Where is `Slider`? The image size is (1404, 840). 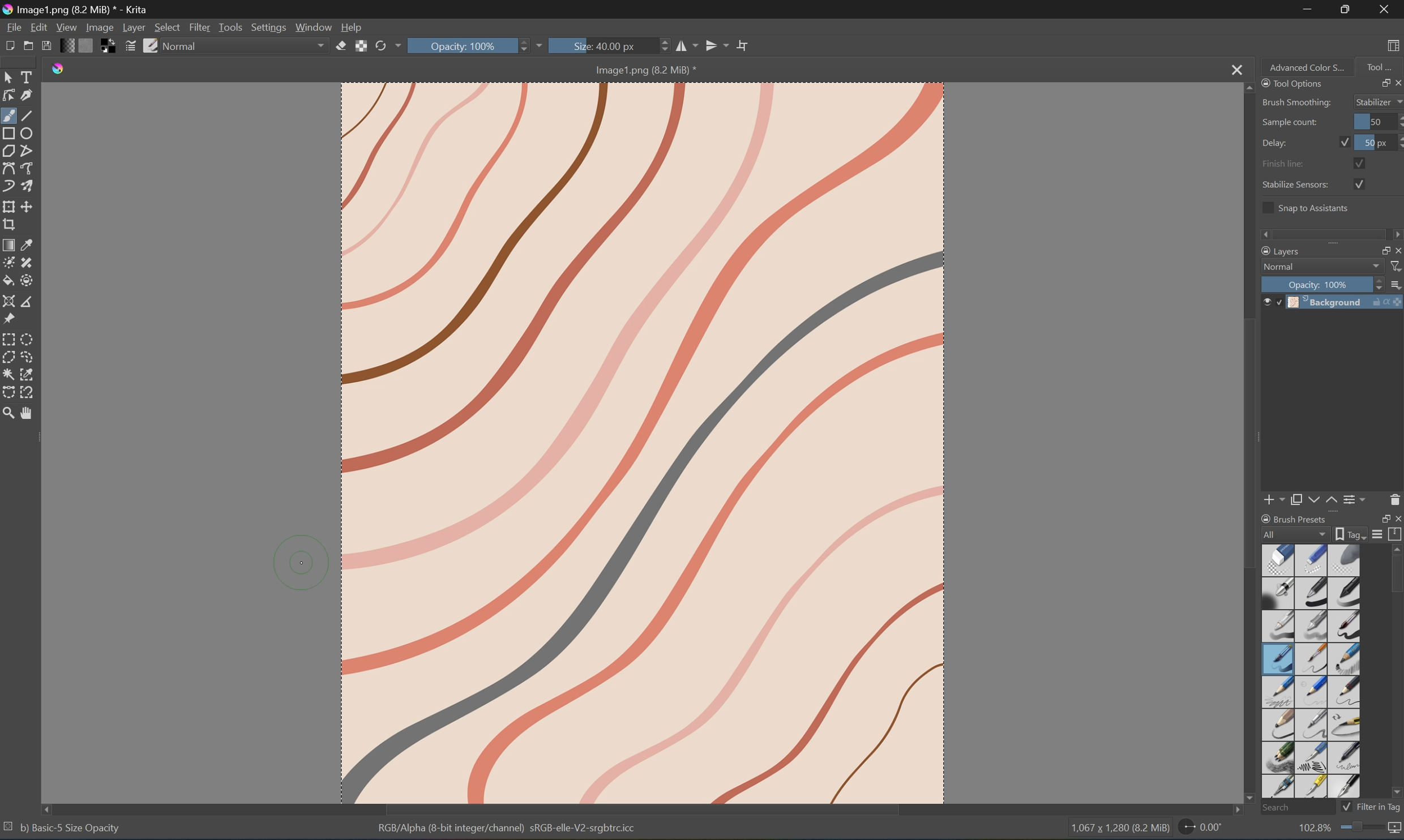
Slider is located at coordinates (526, 46).